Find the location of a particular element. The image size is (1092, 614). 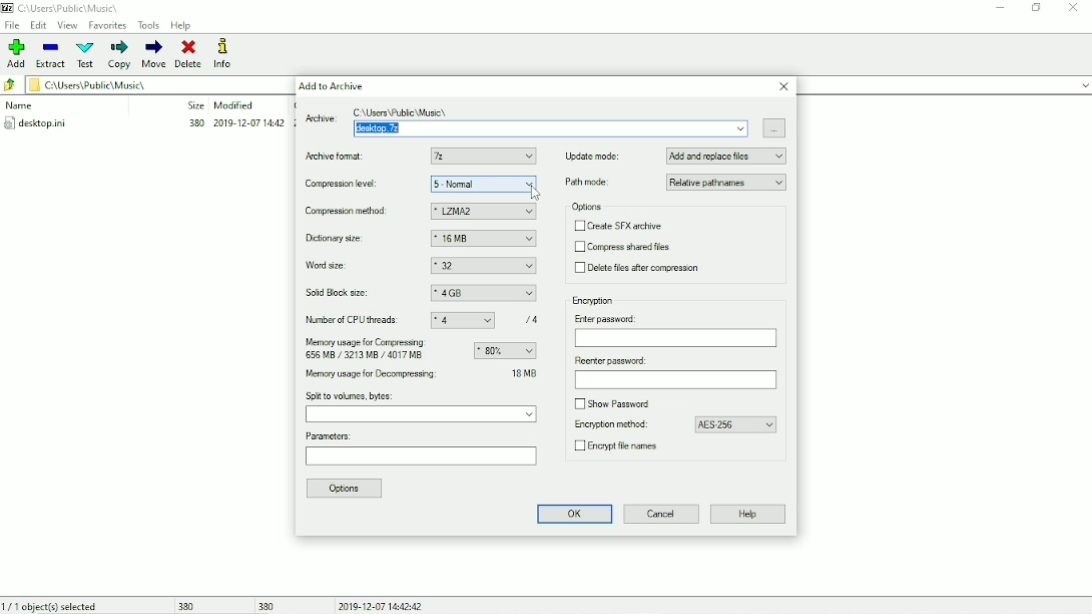

Date and Time is located at coordinates (382, 605).